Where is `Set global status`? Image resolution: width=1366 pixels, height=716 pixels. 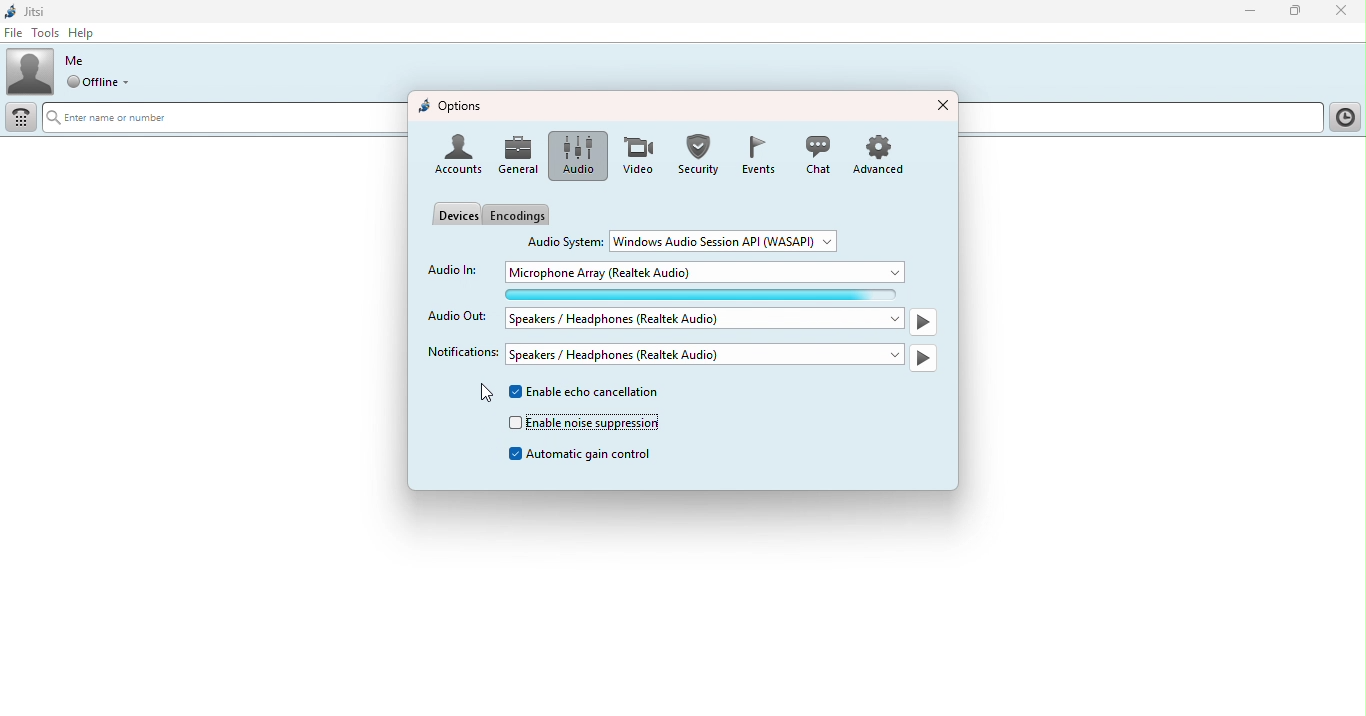
Set global status is located at coordinates (106, 84).